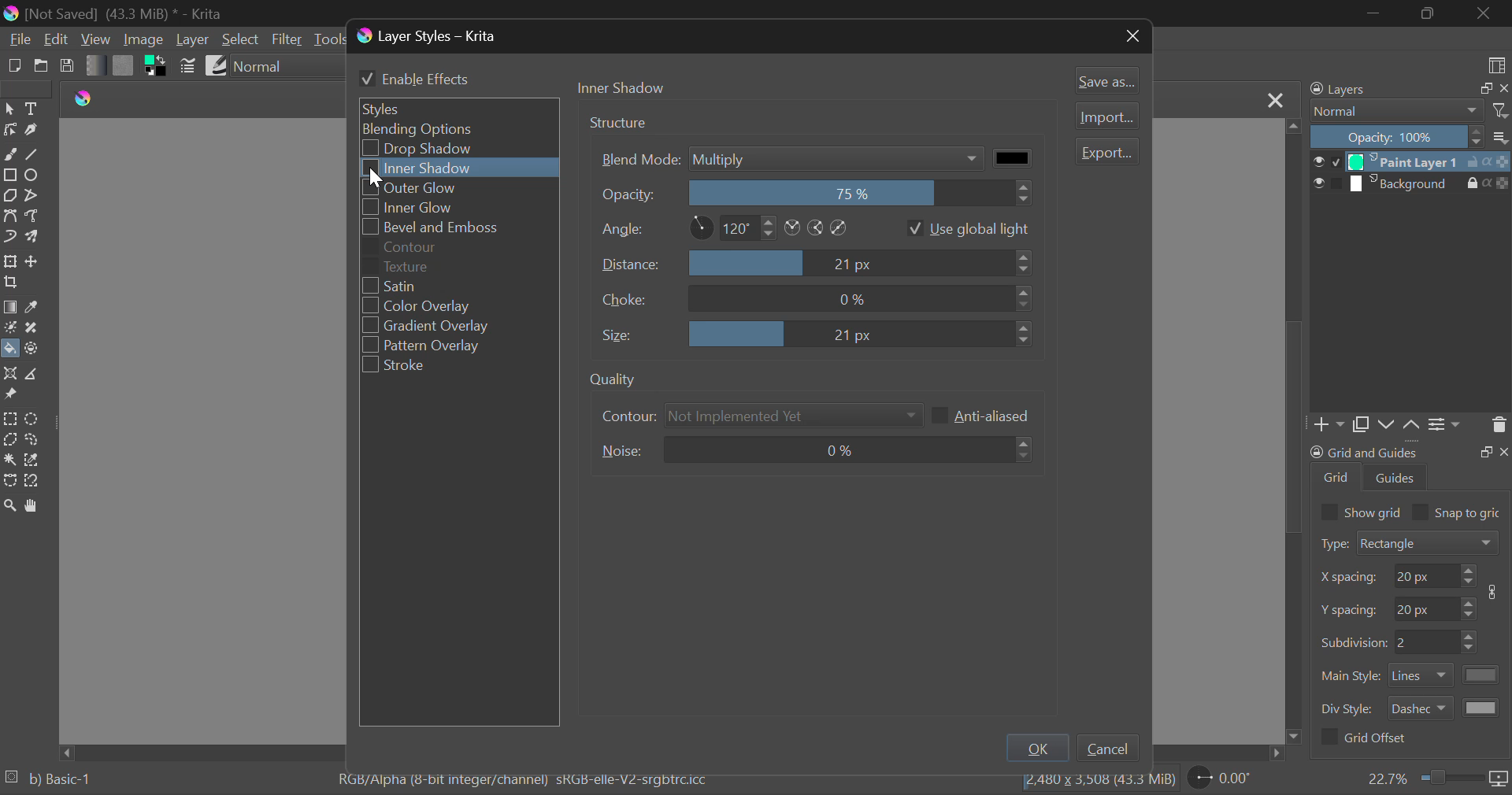  I want to click on move right, so click(1265, 754).